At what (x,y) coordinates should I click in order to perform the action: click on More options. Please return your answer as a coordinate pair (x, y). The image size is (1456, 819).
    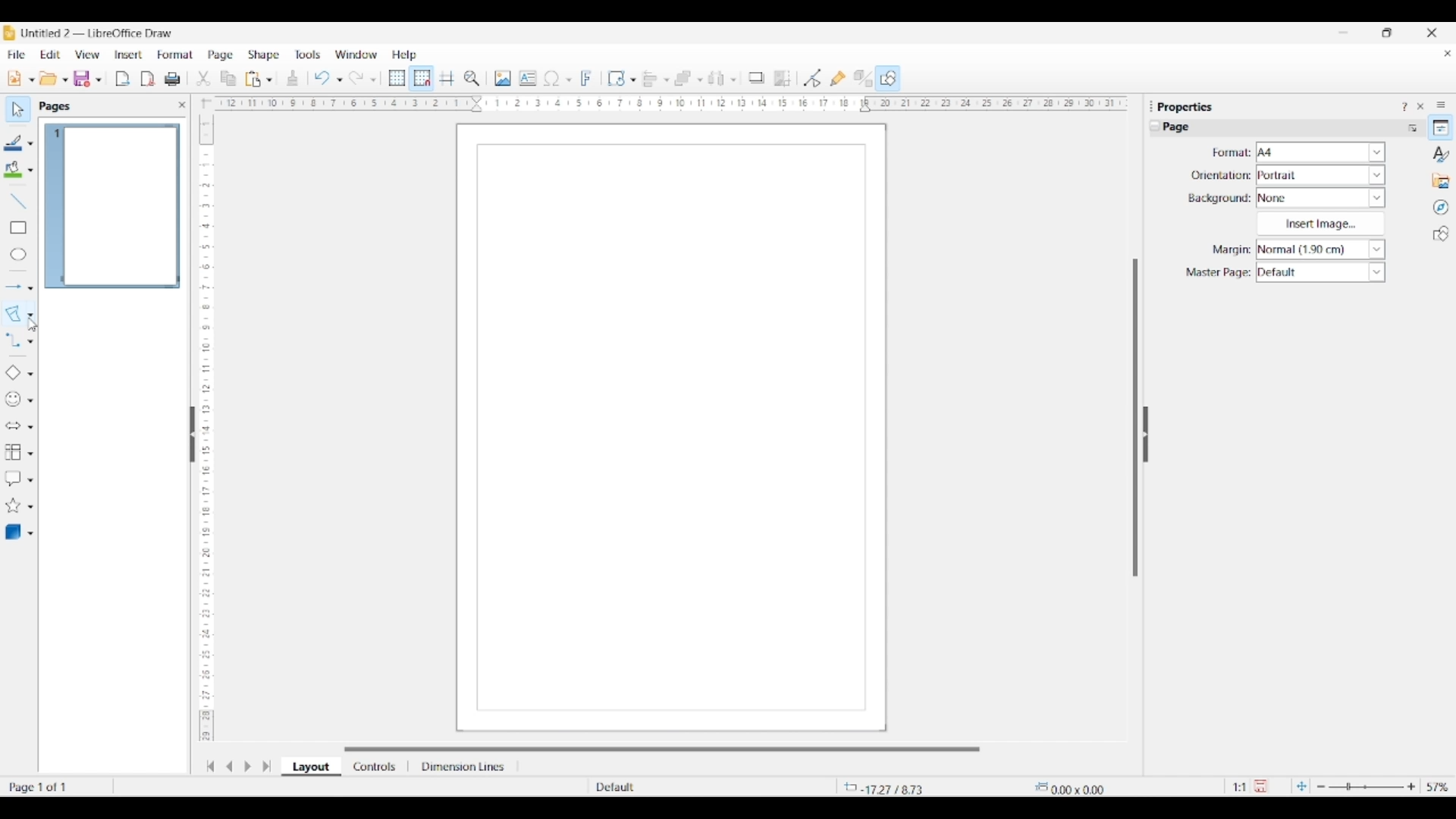
    Looking at the image, I should click on (1412, 127).